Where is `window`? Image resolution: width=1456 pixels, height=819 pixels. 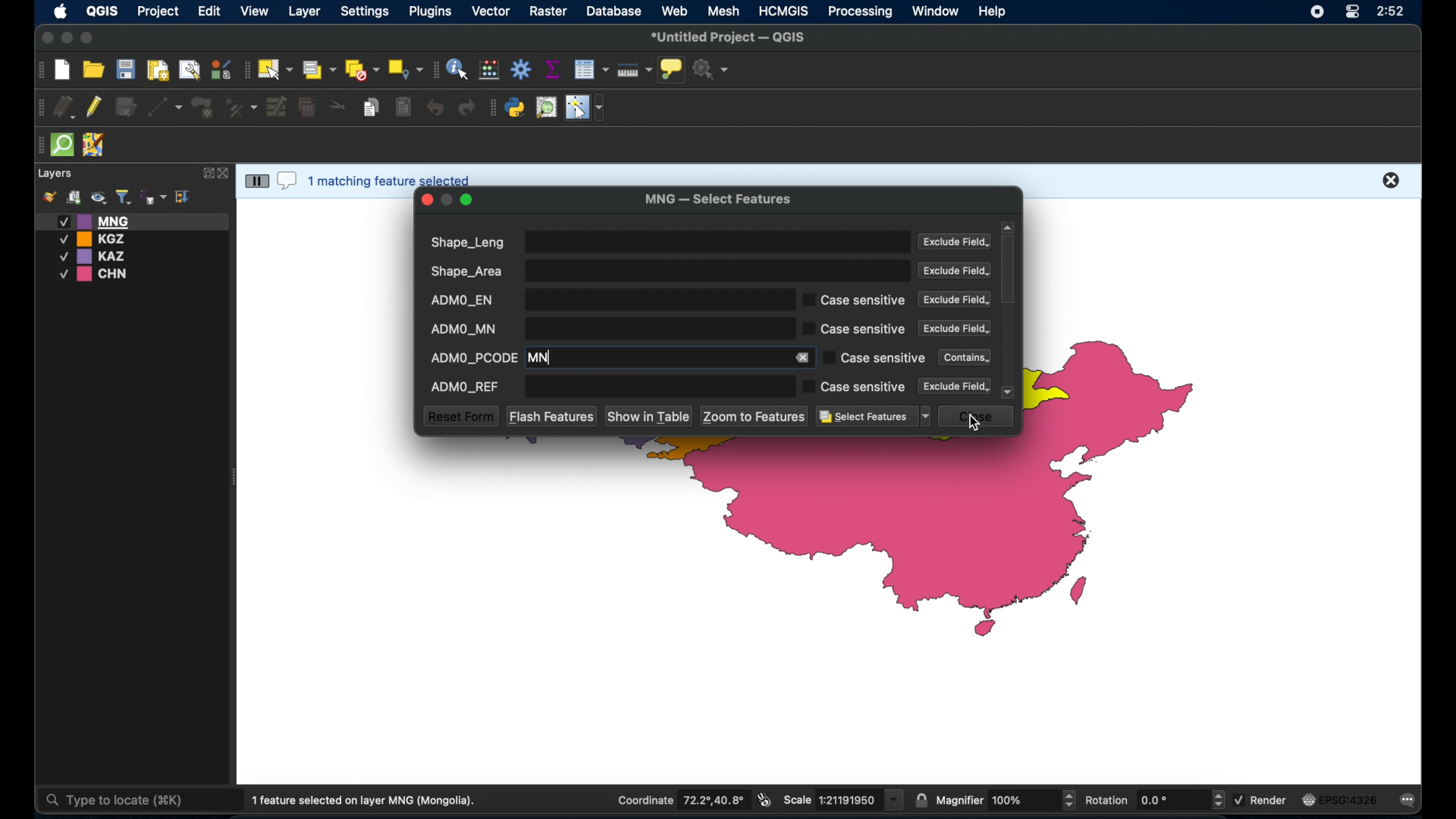 window is located at coordinates (937, 11).